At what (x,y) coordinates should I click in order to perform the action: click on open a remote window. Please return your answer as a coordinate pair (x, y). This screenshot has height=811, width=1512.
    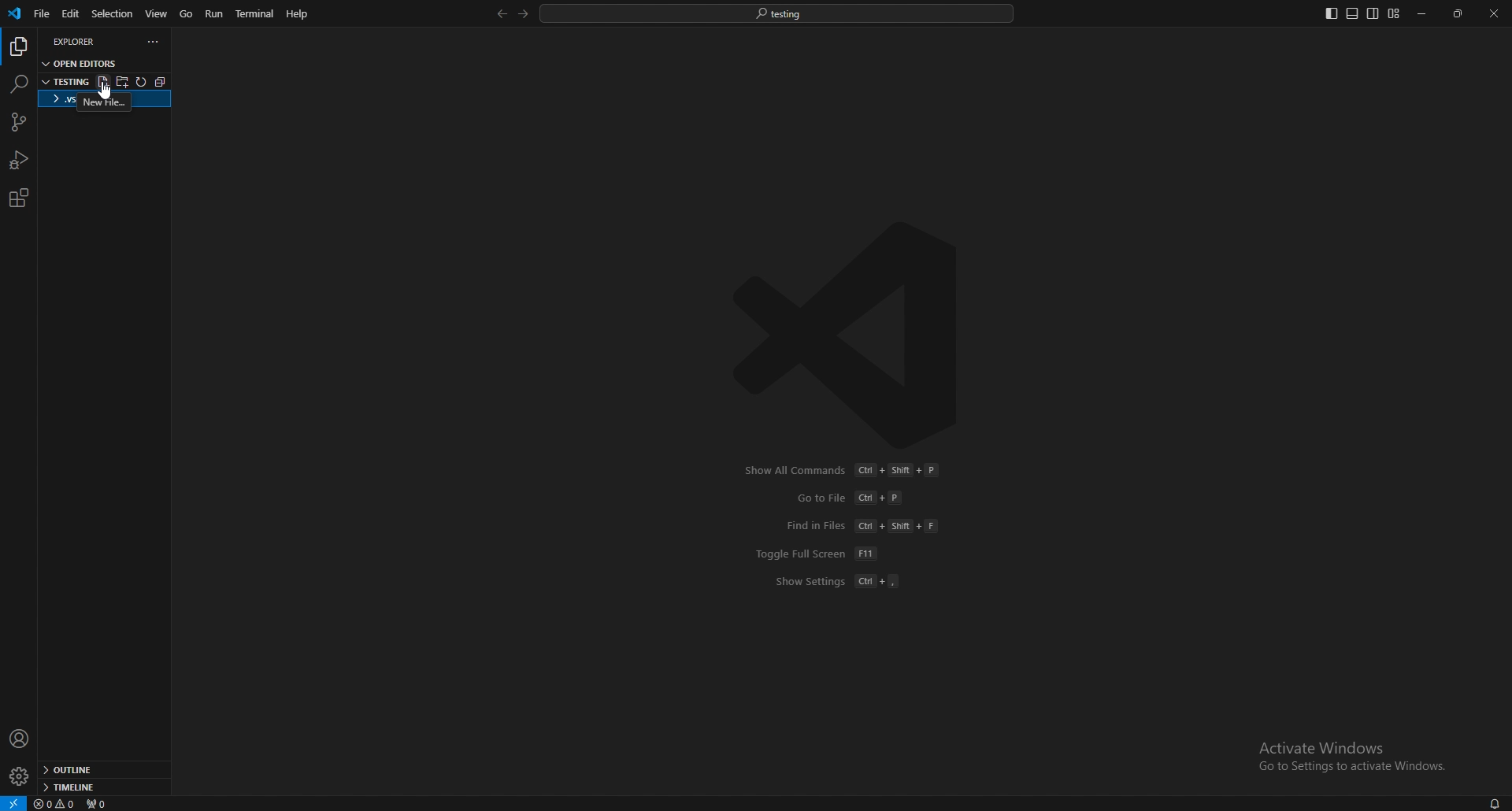
    Looking at the image, I should click on (13, 802).